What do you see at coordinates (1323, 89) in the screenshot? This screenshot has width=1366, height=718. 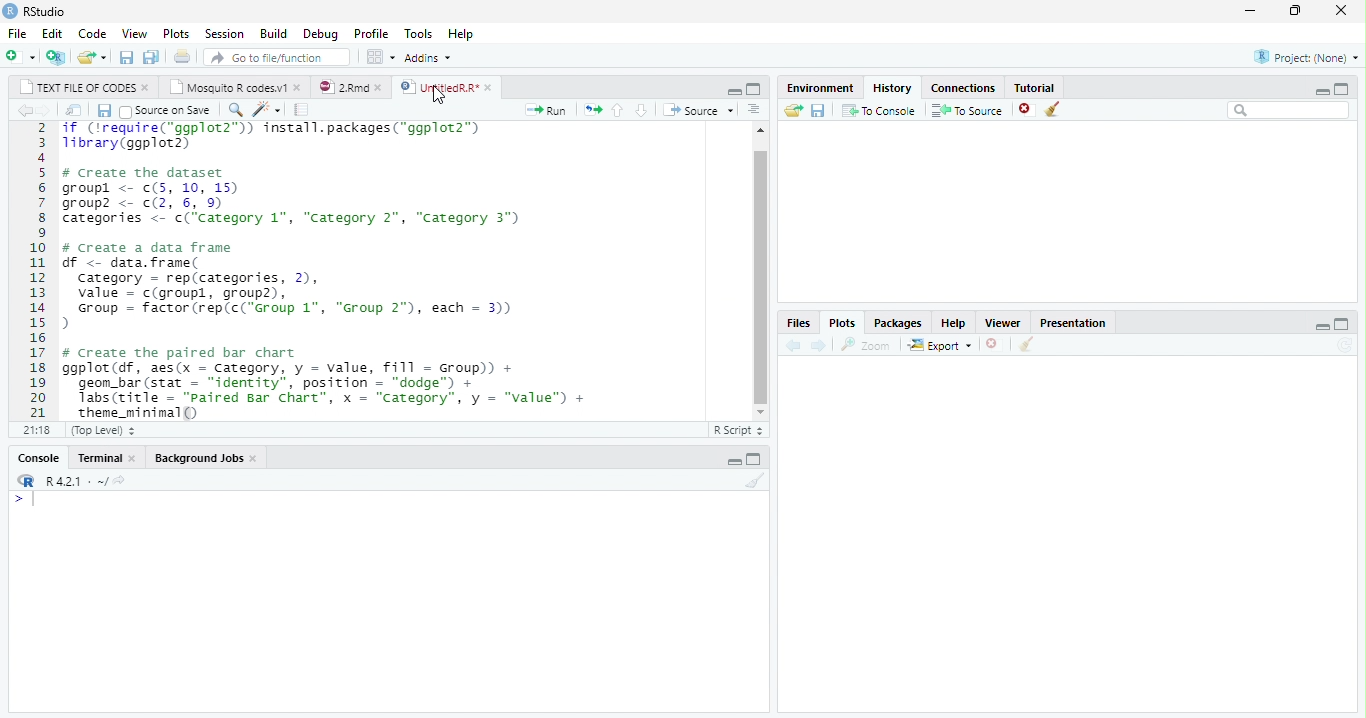 I see `minimize` at bounding box center [1323, 89].